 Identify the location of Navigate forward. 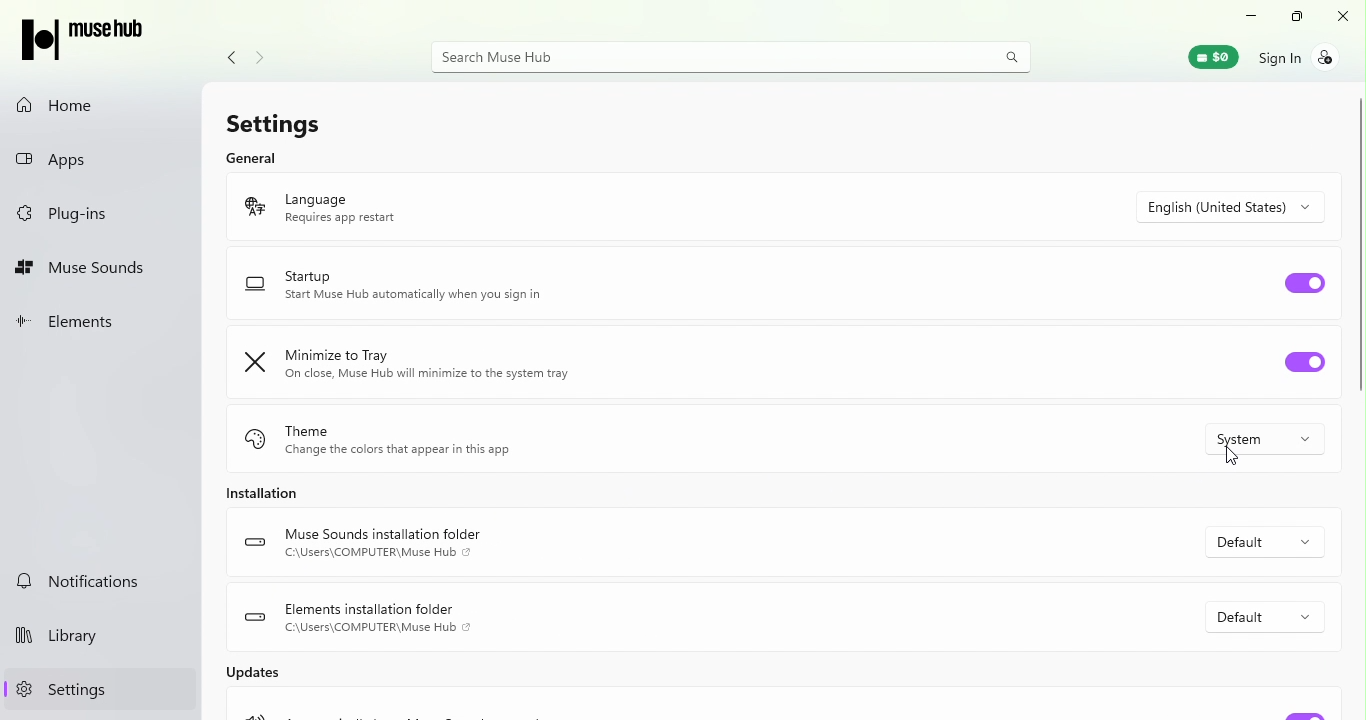
(260, 58).